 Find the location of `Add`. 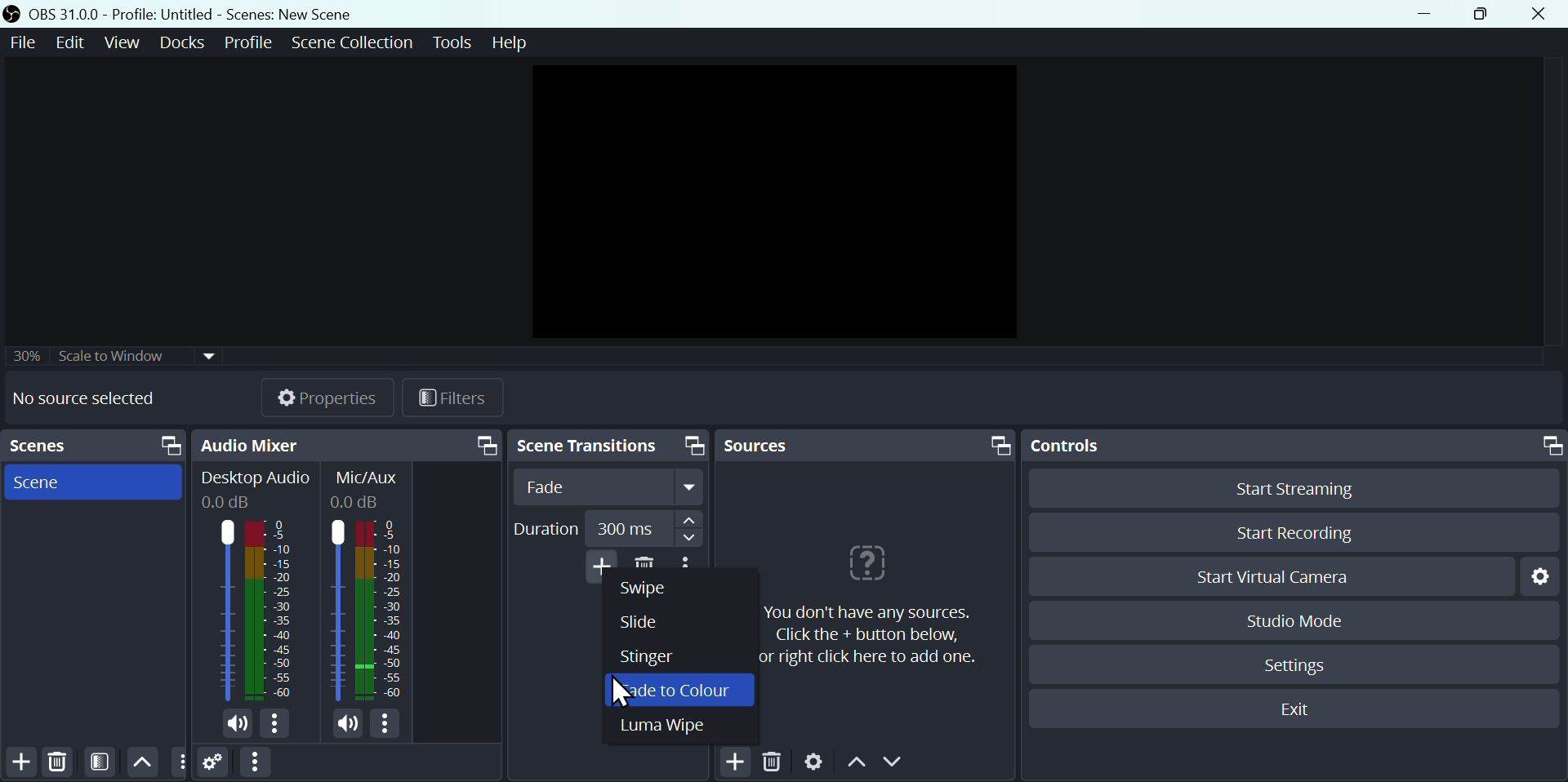

Add is located at coordinates (736, 761).